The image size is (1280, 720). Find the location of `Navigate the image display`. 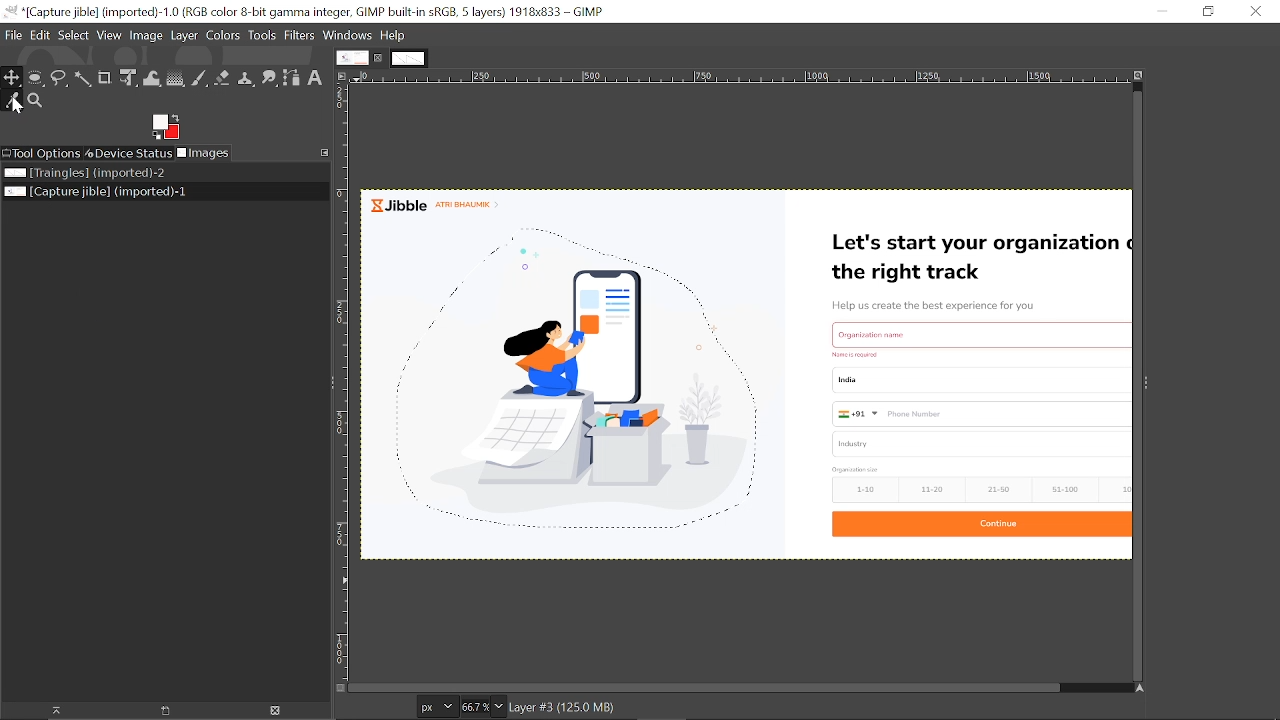

Navigate the image display is located at coordinates (1137, 688).